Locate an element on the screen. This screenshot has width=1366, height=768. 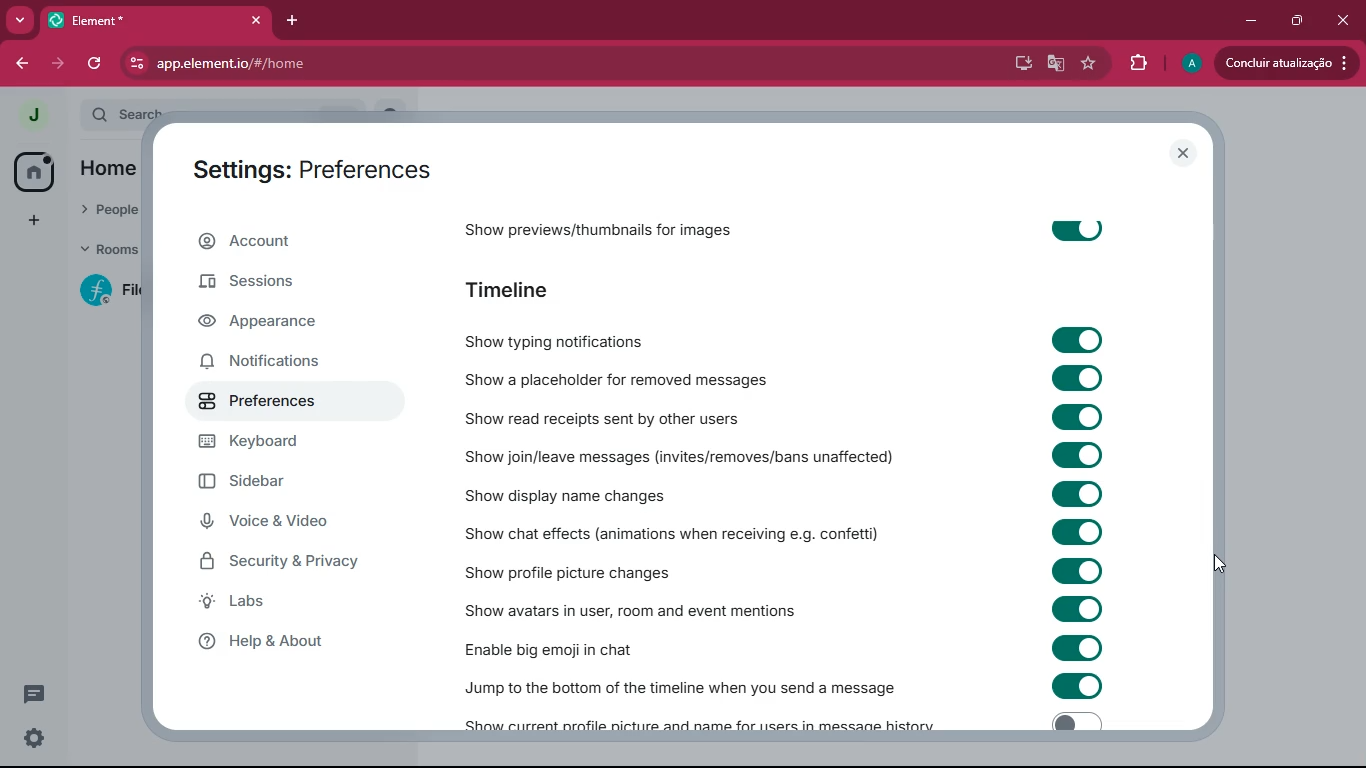
extensions is located at coordinates (1138, 63).